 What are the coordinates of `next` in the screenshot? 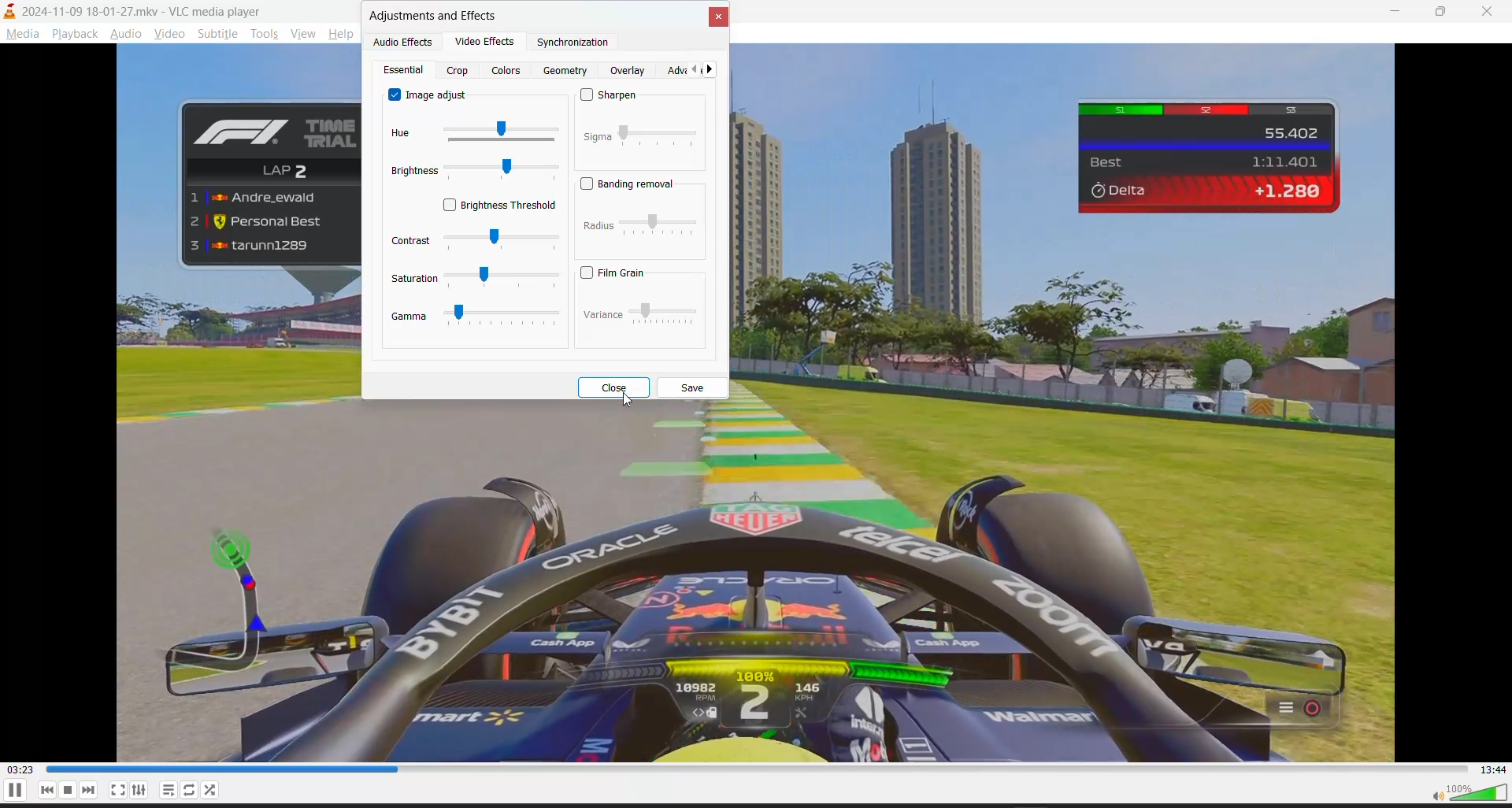 It's located at (90, 790).